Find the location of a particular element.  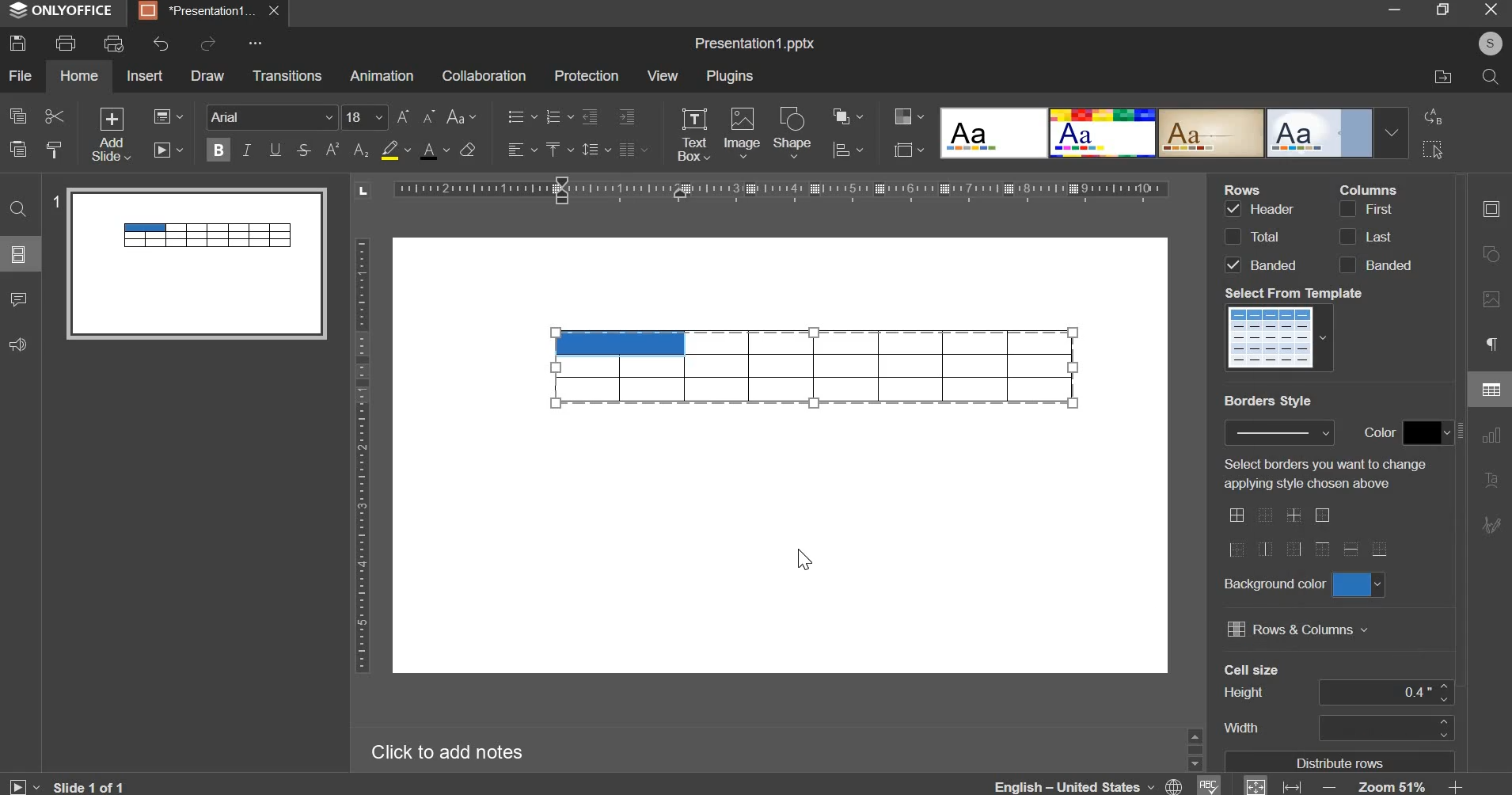

chart settings is located at coordinates (848, 150).